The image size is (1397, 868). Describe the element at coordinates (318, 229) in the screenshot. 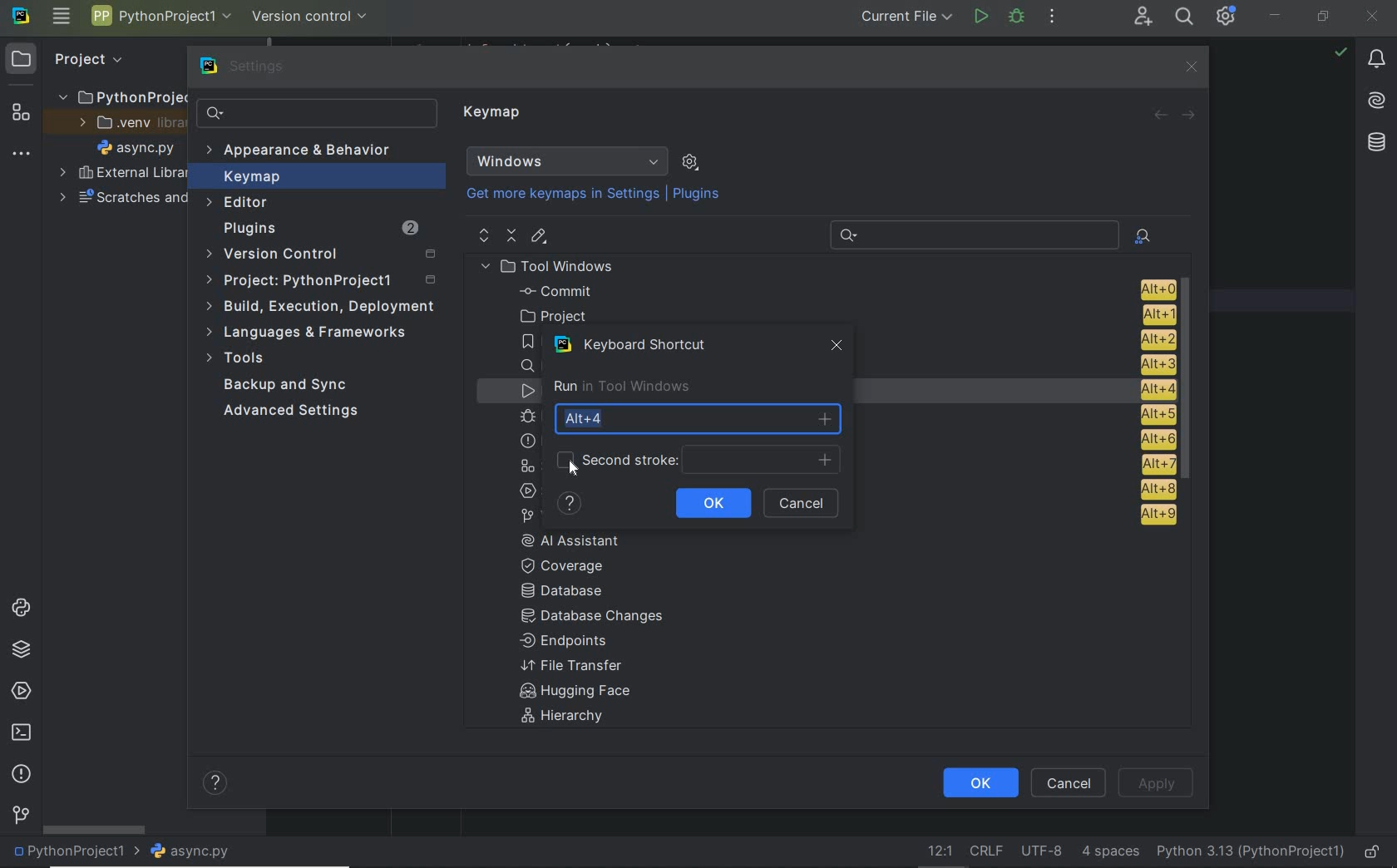

I see `Plugins` at that location.